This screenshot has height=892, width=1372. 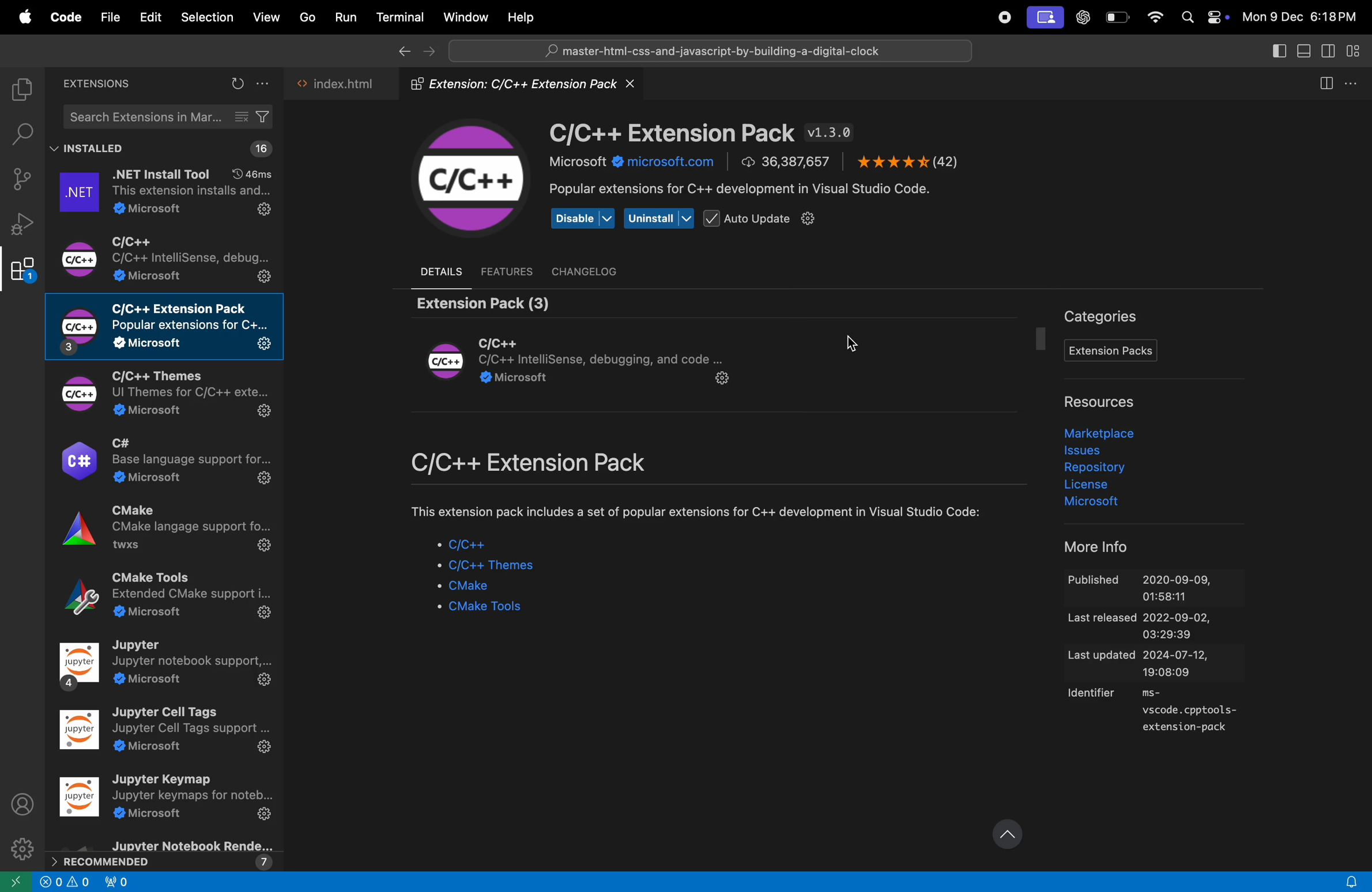 What do you see at coordinates (521, 86) in the screenshot?
I see `Extension folder` at bounding box center [521, 86].